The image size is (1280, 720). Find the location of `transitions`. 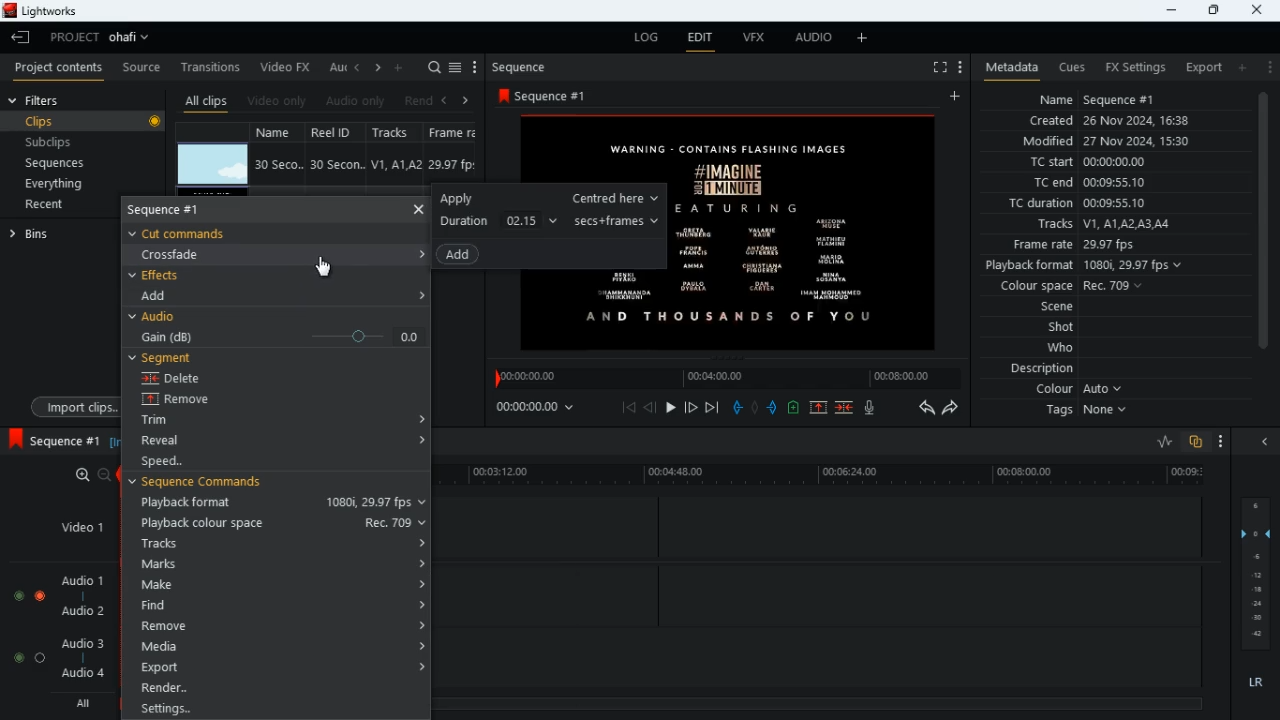

transitions is located at coordinates (212, 65).